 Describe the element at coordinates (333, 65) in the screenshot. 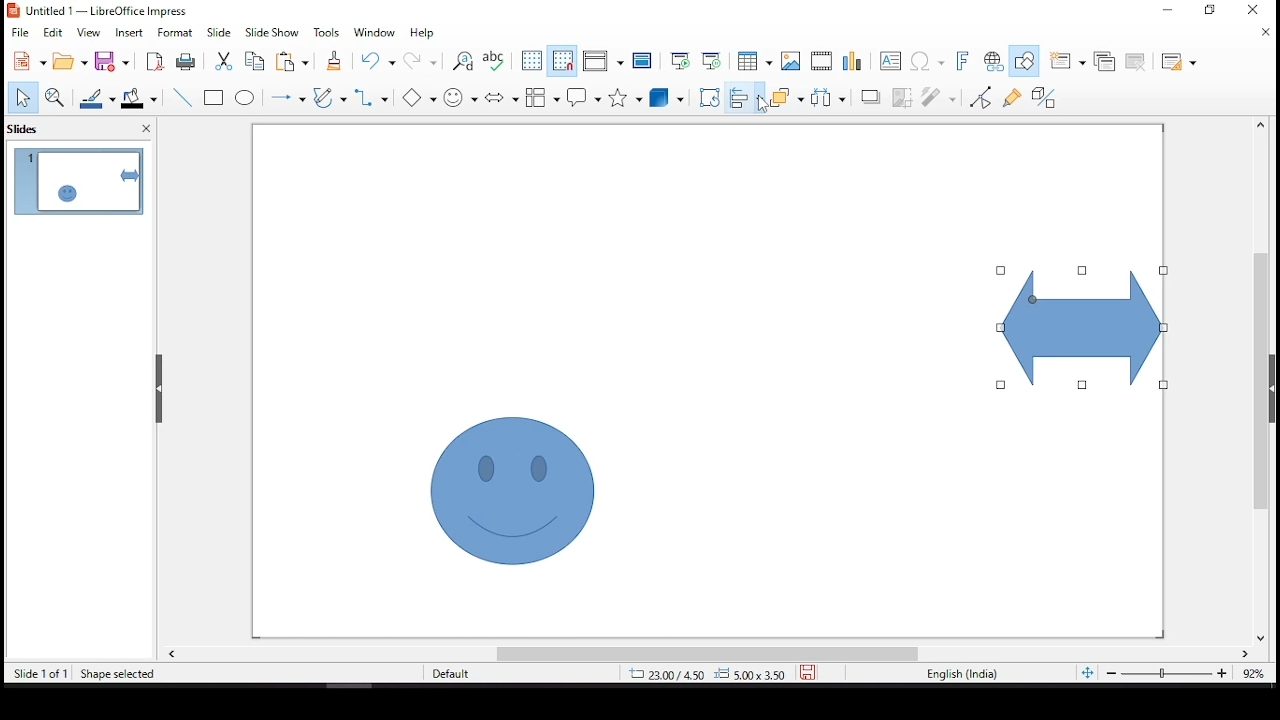

I see `clone formatting` at that location.